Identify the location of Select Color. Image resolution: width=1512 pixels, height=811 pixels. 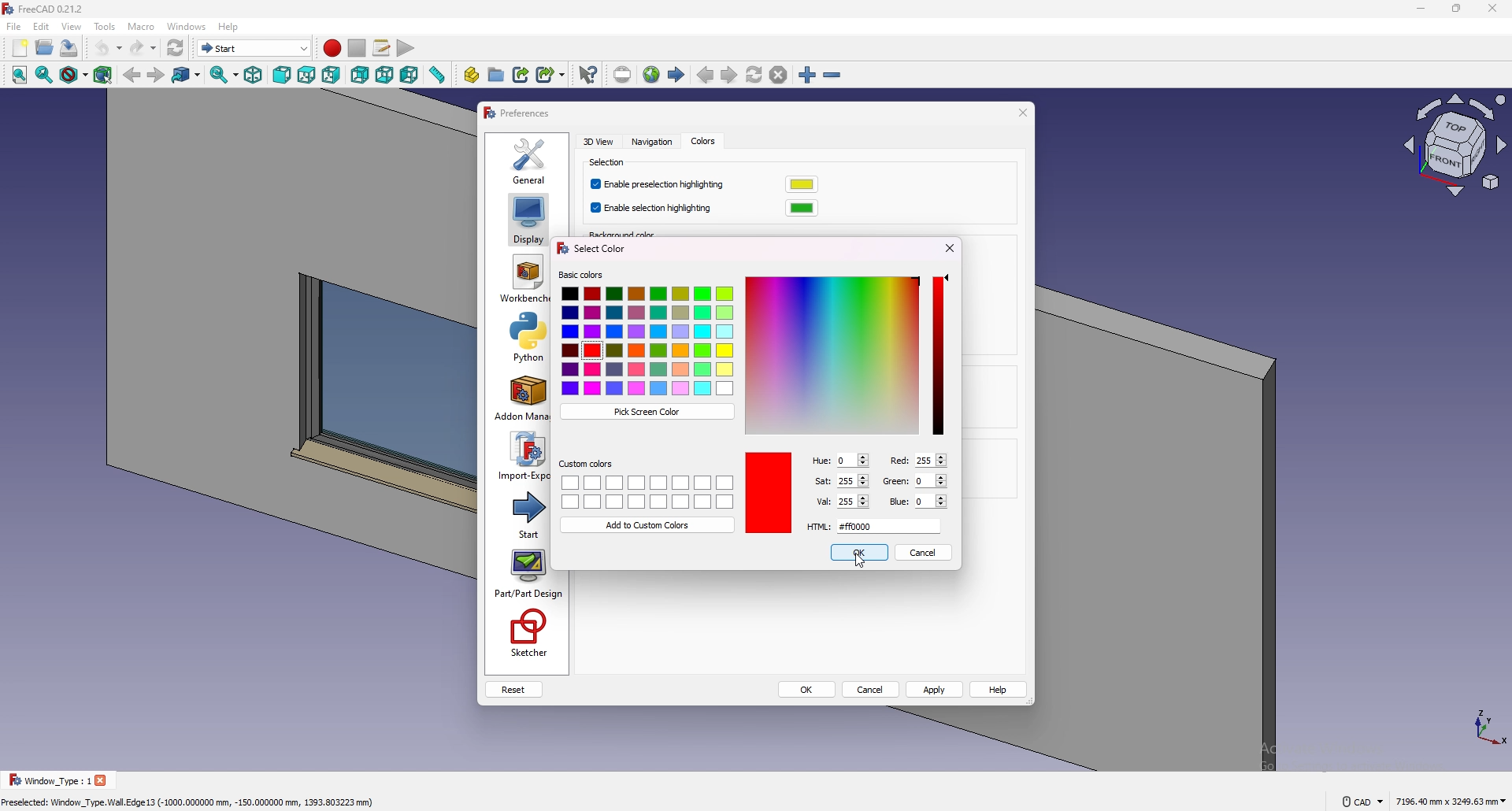
(599, 248).